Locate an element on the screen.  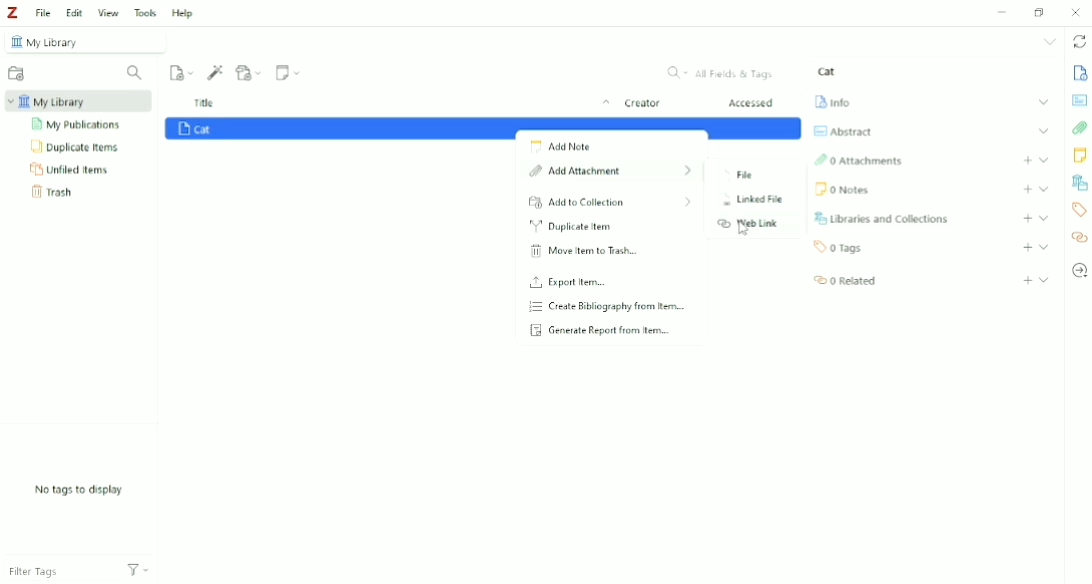
New Collection is located at coordinates (17, 75).